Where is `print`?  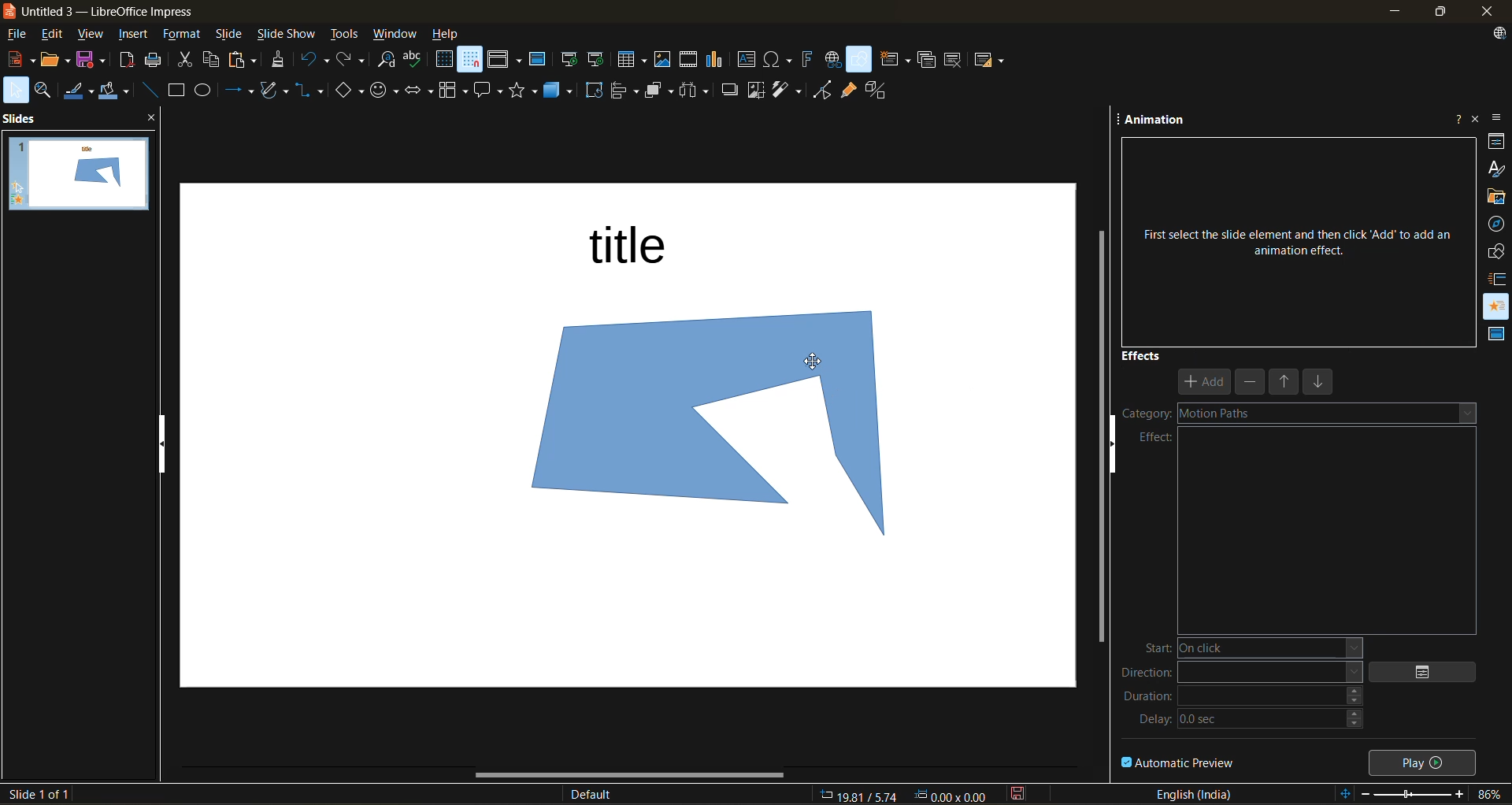 print is located at coordinates (158, 61).